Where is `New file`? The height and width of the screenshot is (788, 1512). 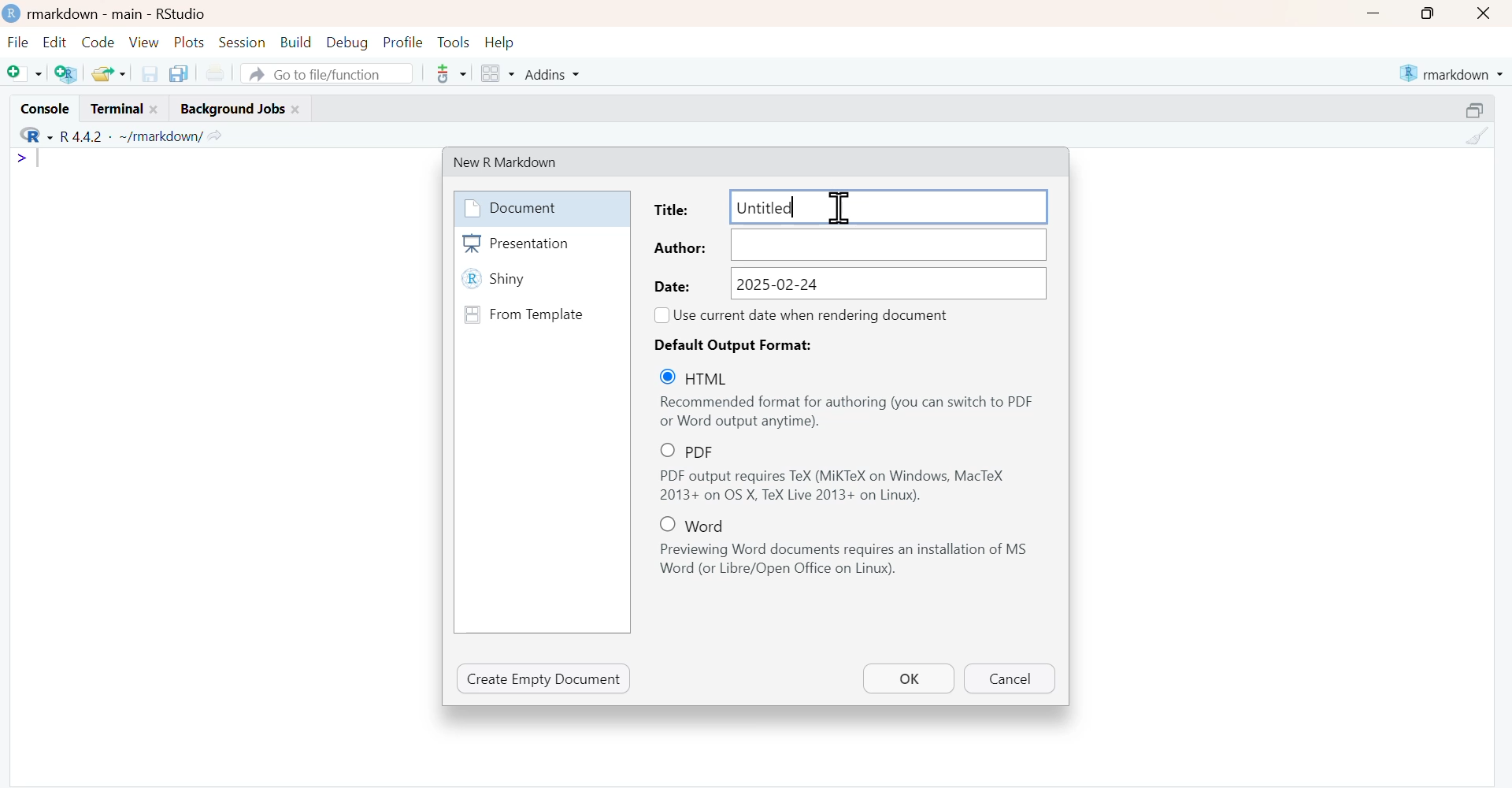 New file is located at coordinates (24, 72).